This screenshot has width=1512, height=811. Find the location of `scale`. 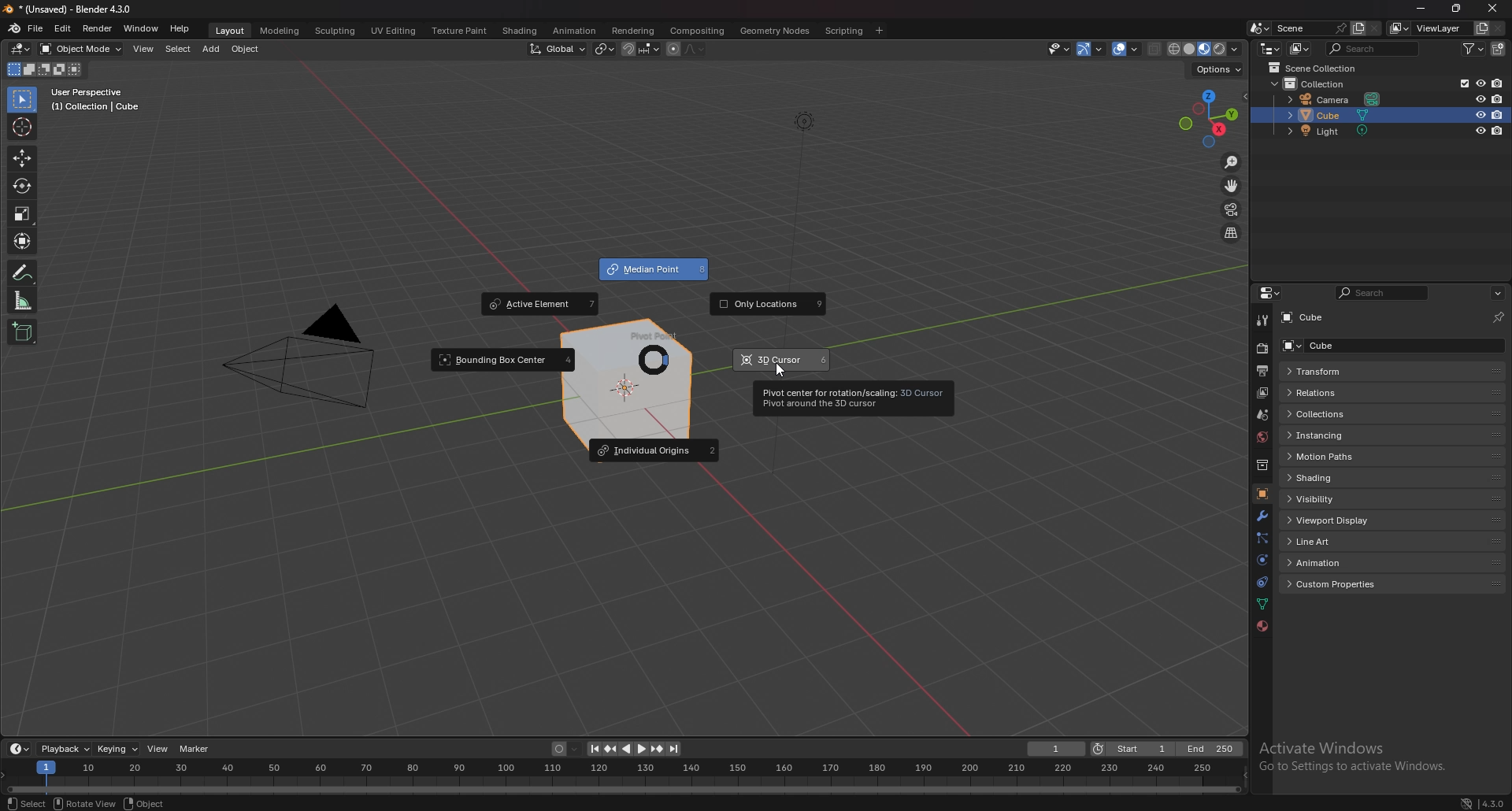

scale is located at coordinates (20, 213).